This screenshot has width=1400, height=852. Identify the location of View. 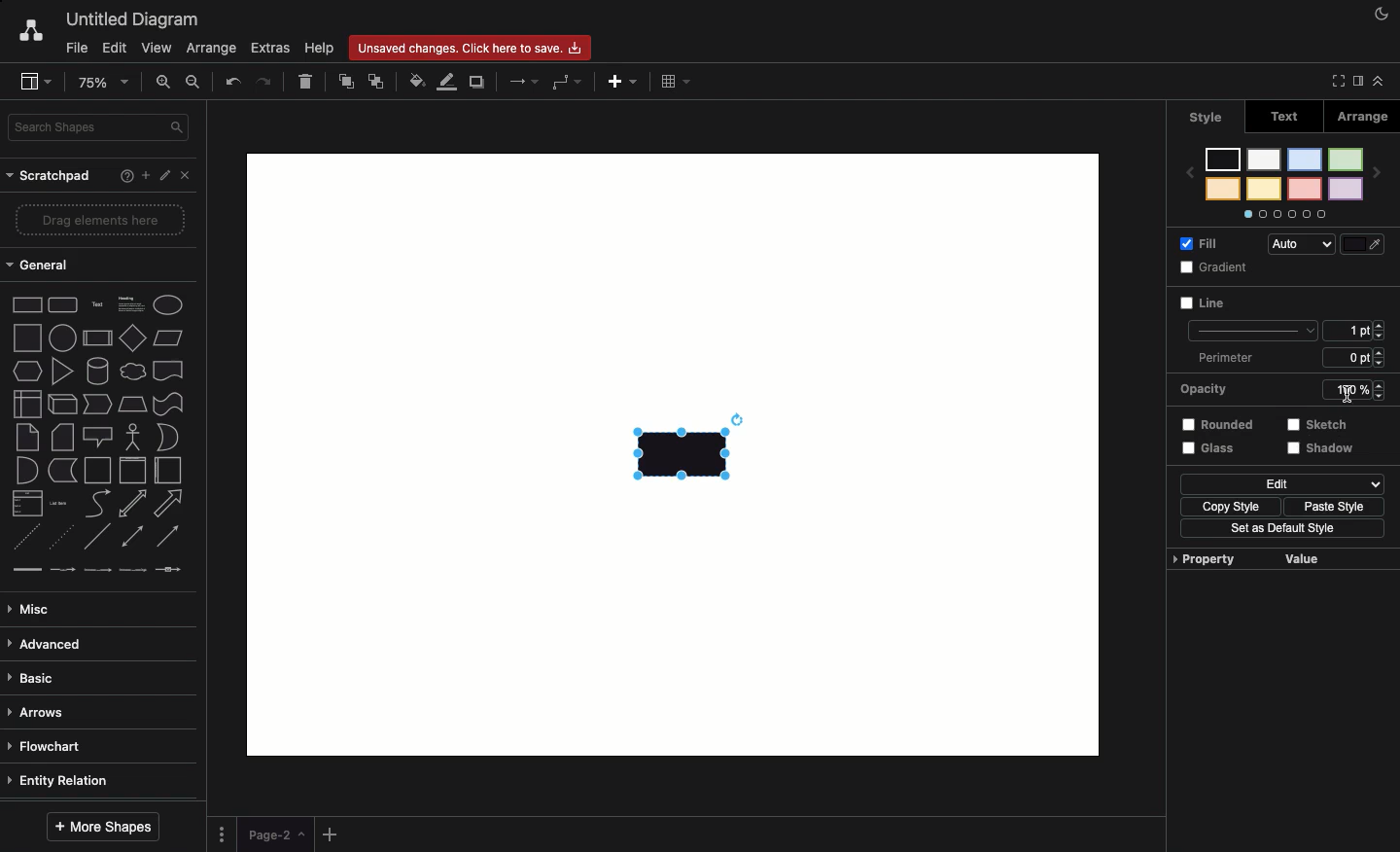
(158, 48).